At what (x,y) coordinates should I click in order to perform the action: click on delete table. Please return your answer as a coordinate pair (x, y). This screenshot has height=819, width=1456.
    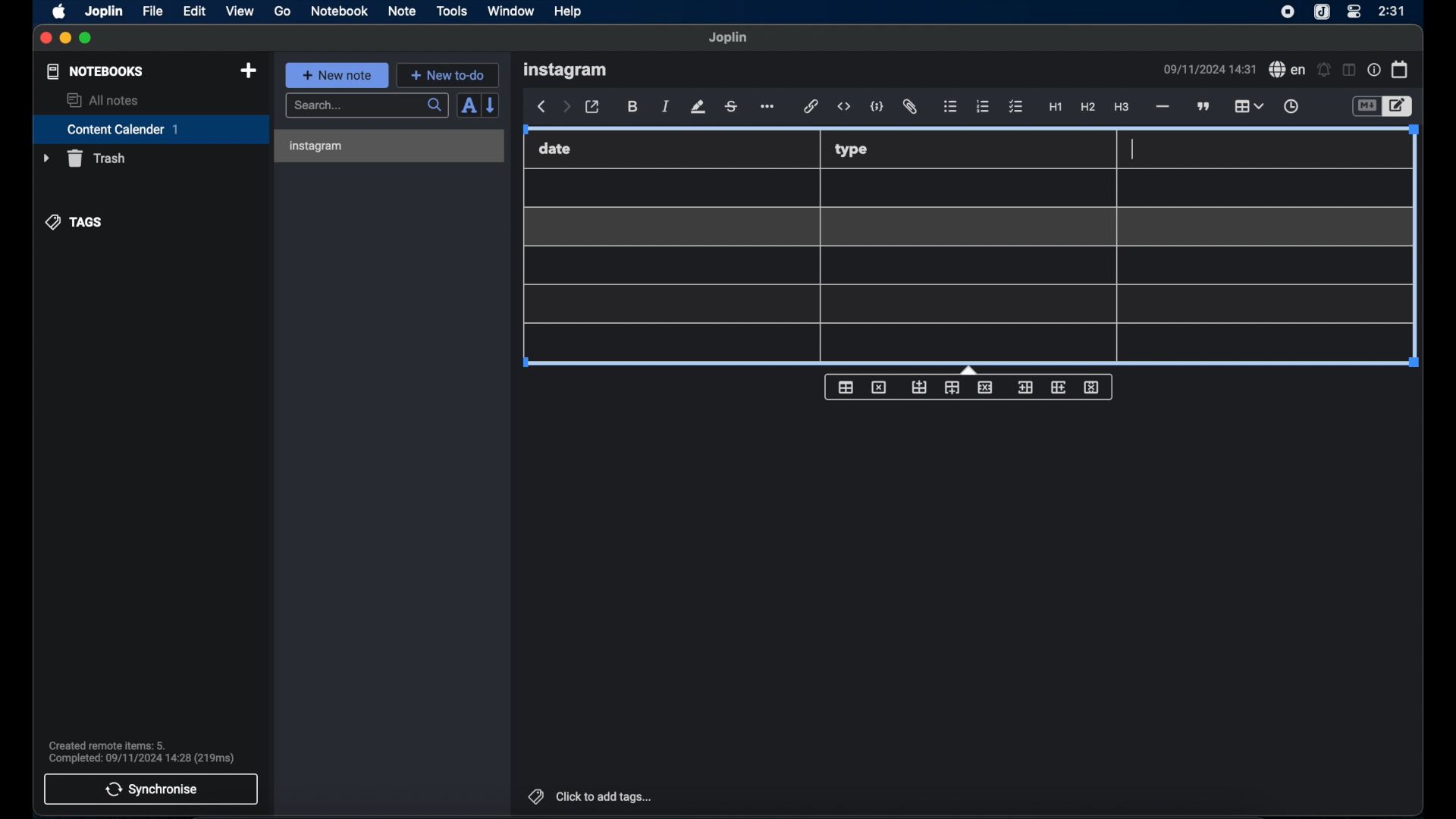
    Looking at the image, I should click on (879, 387).